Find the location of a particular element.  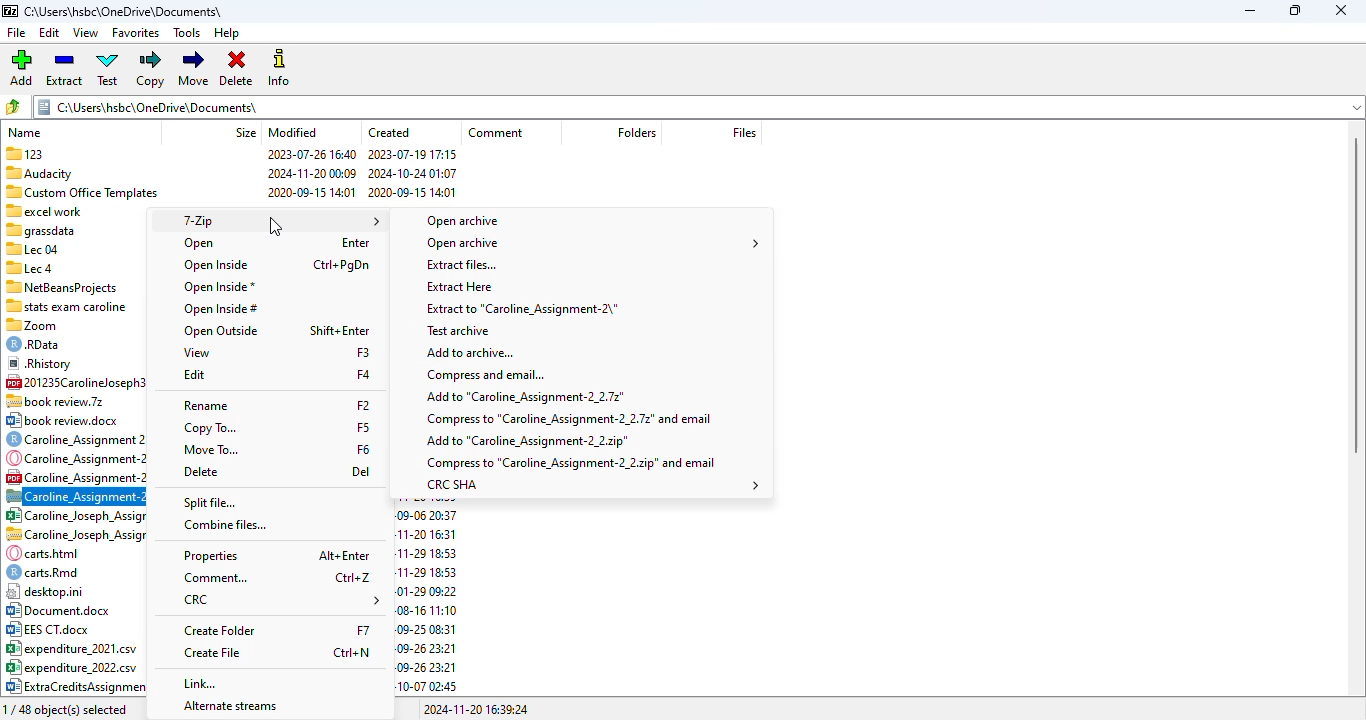

comment is located at coordinates (214, 578).